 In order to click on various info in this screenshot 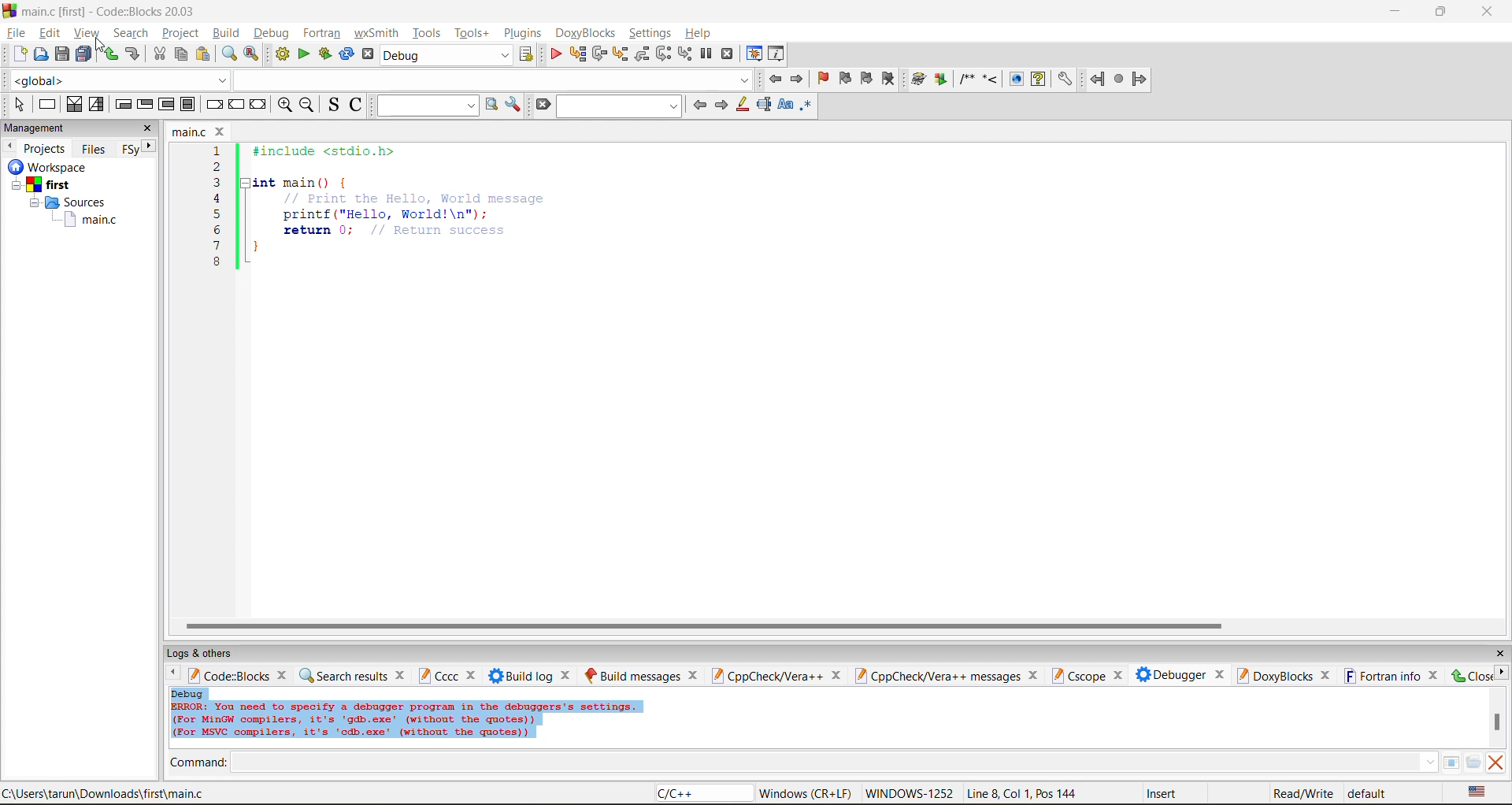, I will do `click(780, 55)`.